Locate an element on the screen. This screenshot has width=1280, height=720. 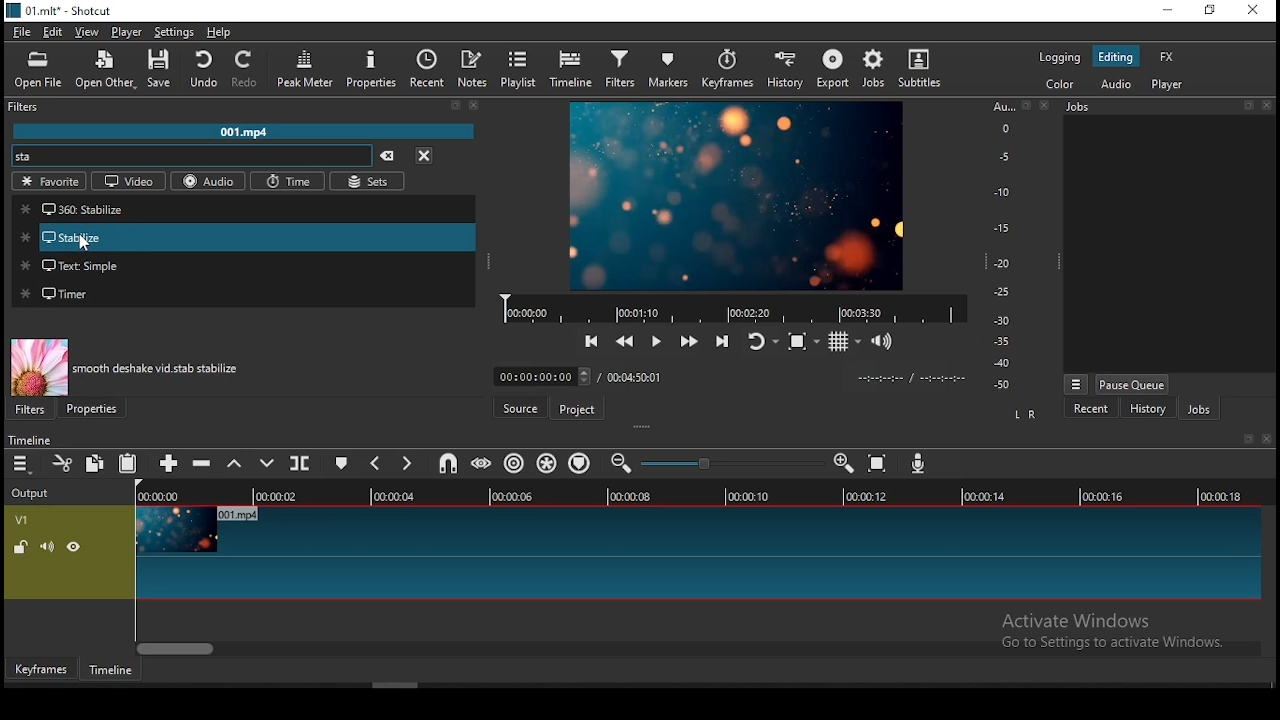
Jobs is located at coordinates (873, 68).